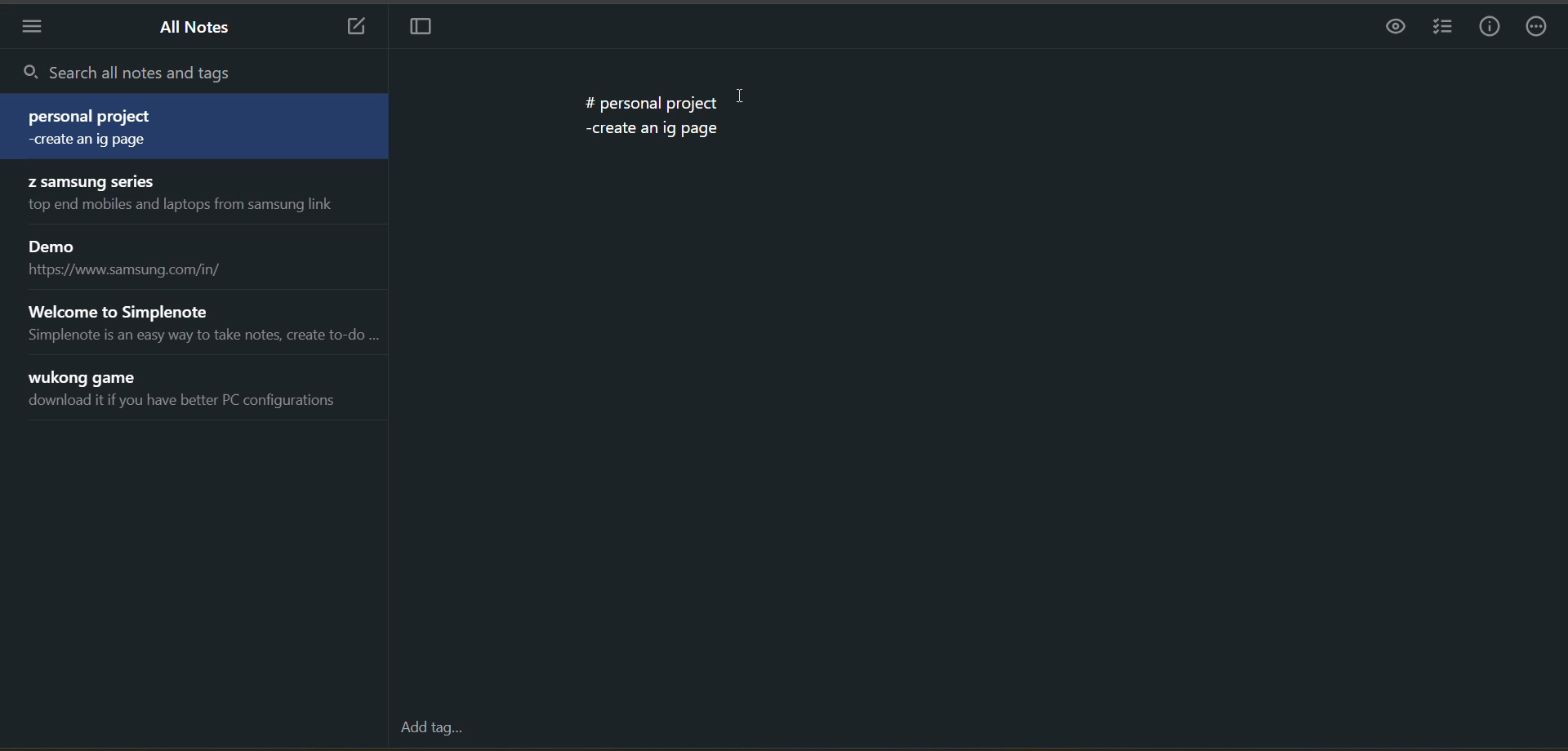 Image resolution: width=1568 pixels, height=751 pixels. Describe the element at coordinates (29, 29) in the screenshot. I see `menu` at that location.